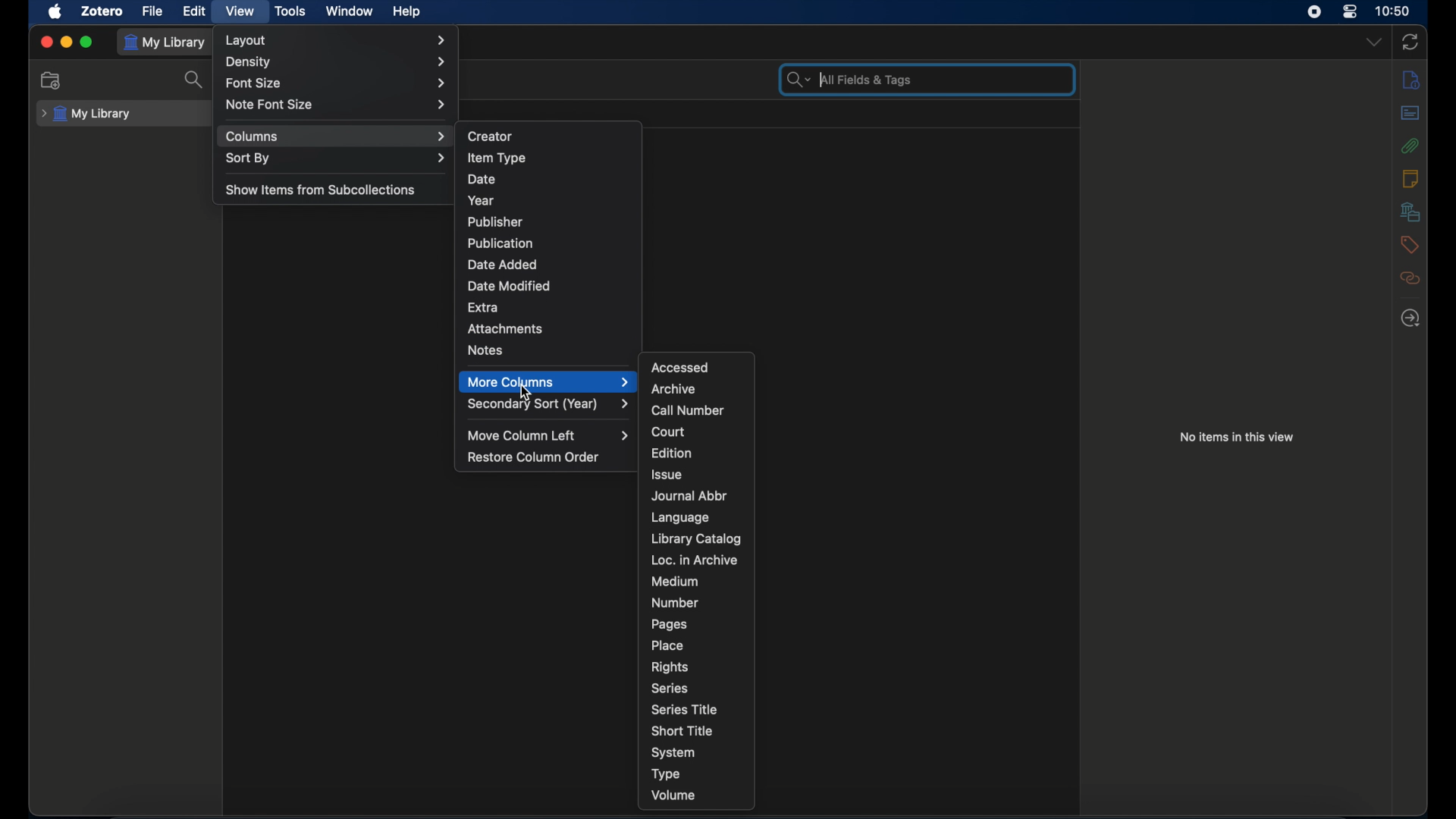  I want to click on rights, so click(670, 667).